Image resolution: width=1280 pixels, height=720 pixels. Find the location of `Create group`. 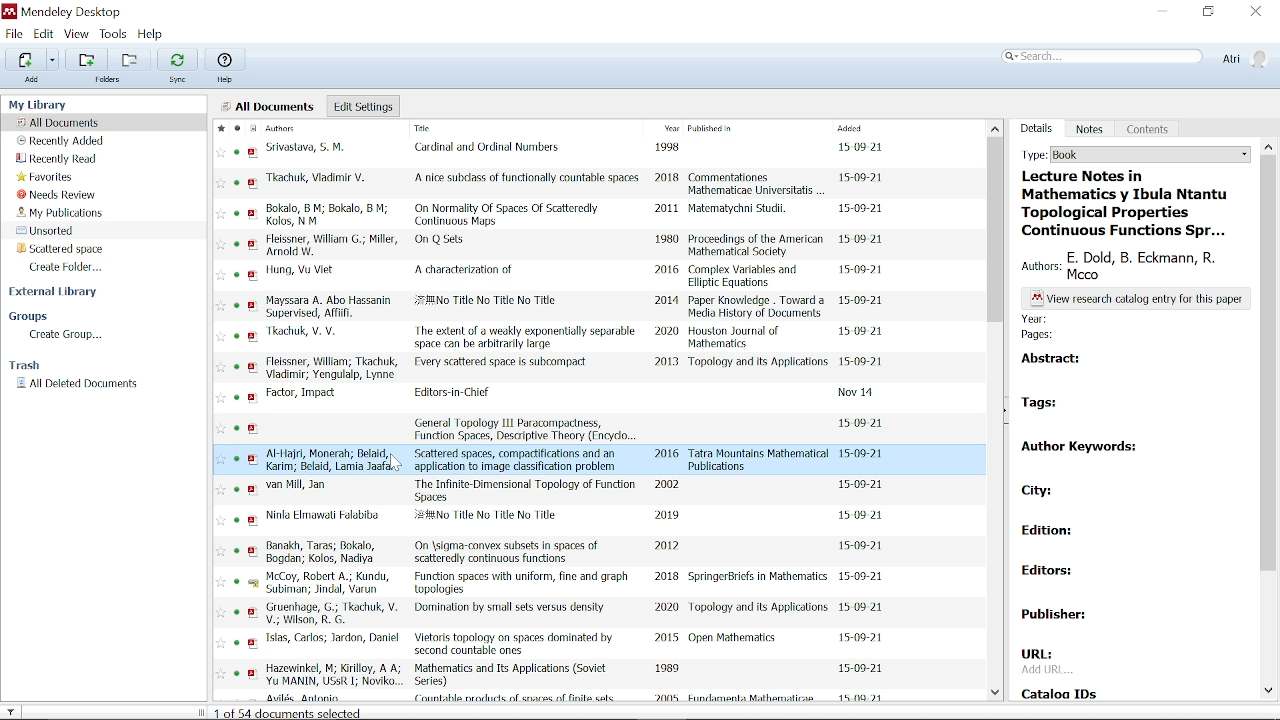

Create group is located at coordinates (67, 336).